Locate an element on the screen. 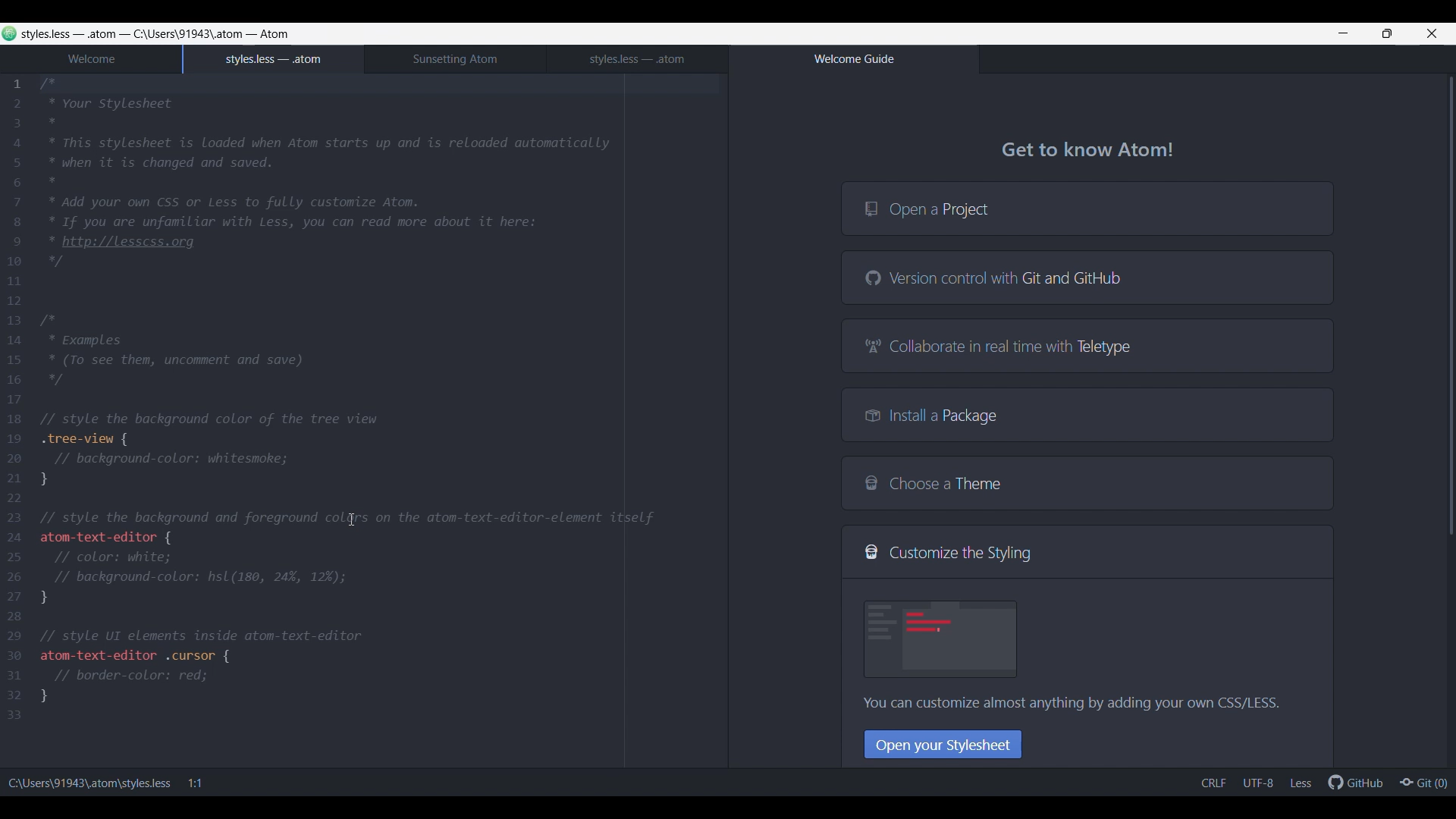 The image size is (1456, 819). Open your Stylesheet is located at coordinates (943, 744).